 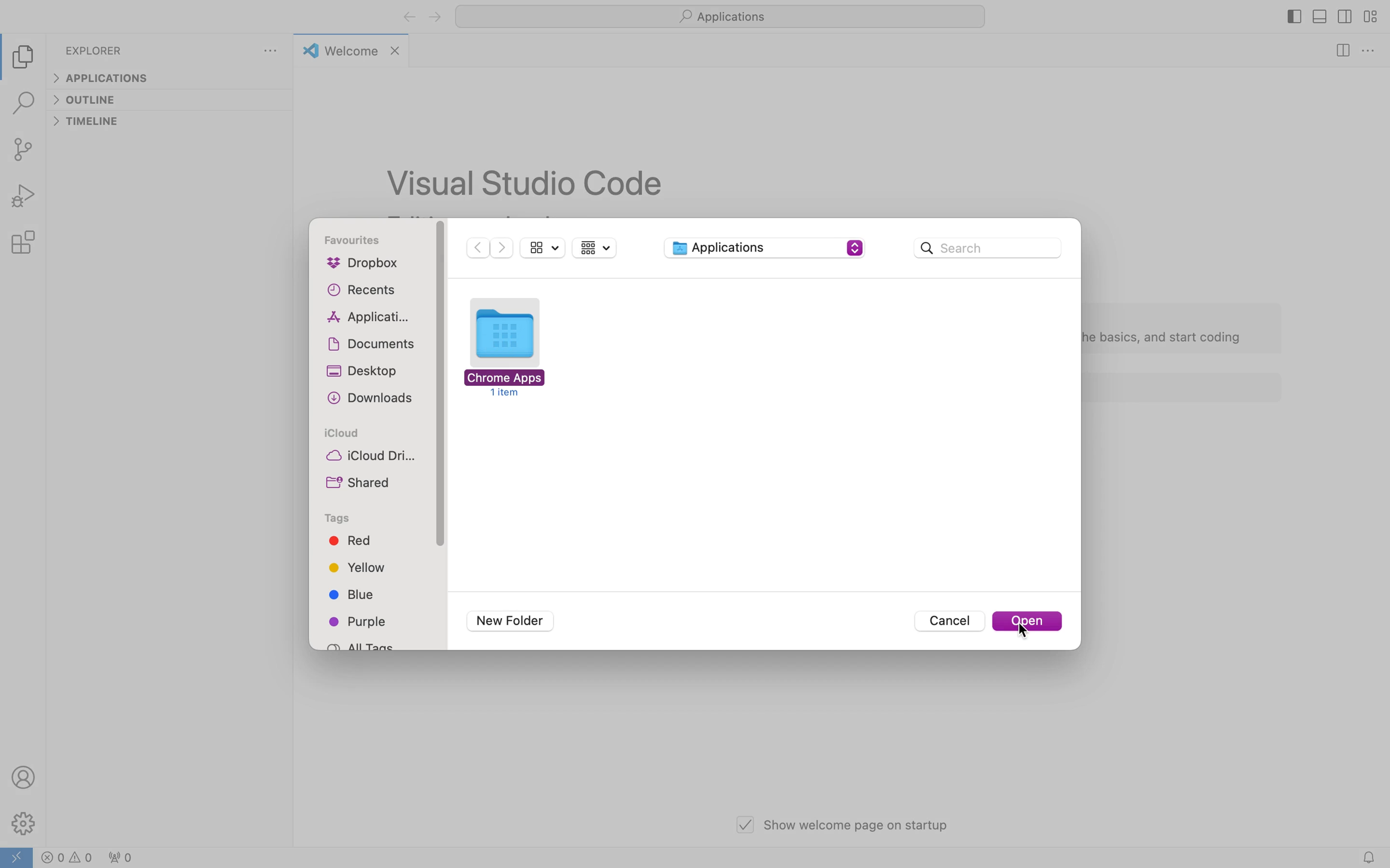 What do you see at coordinates (408, 18) in the screenshot?
I see `back` at bounding box center [408, 18].